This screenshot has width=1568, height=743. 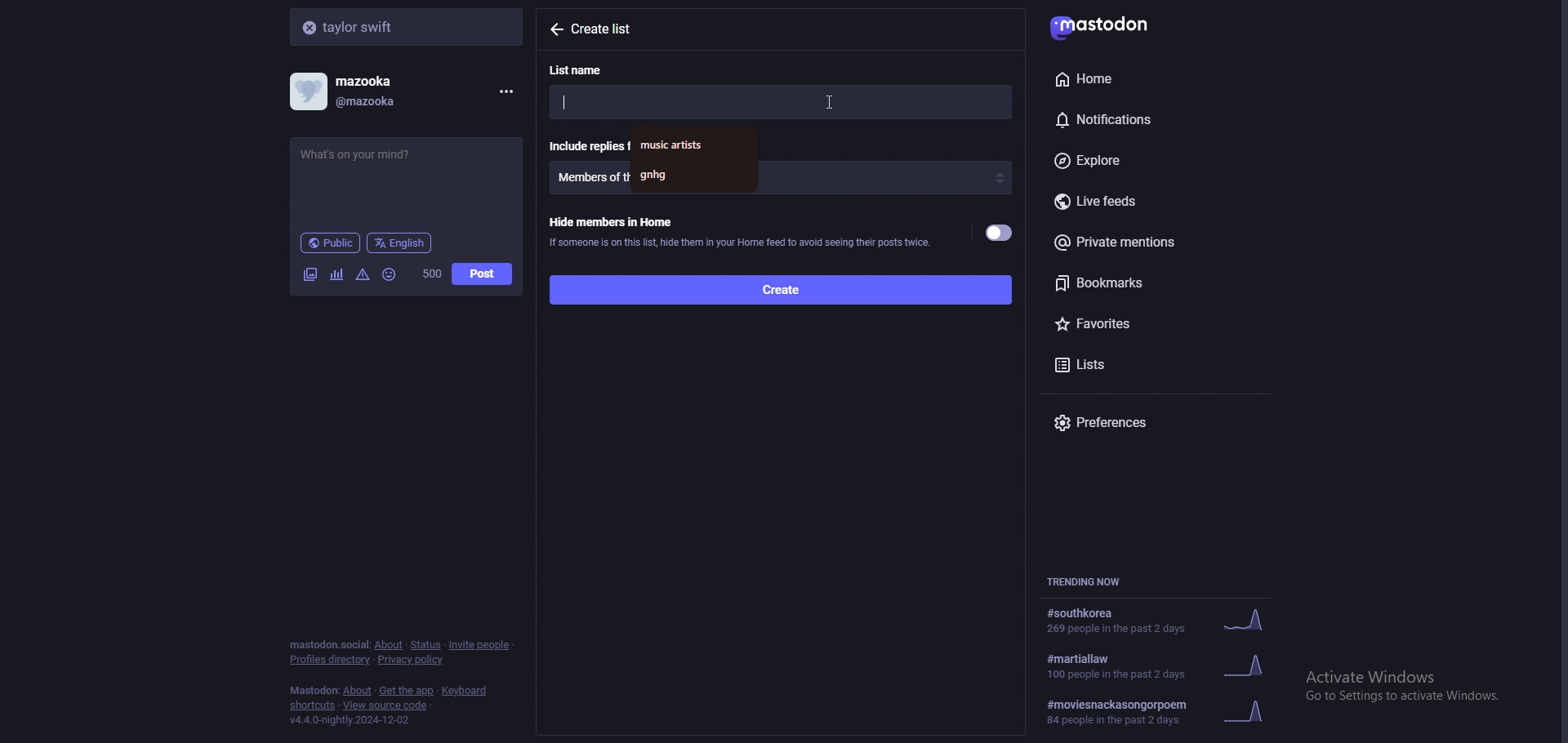 I want to click on view source code, so click(x=385, y=706).